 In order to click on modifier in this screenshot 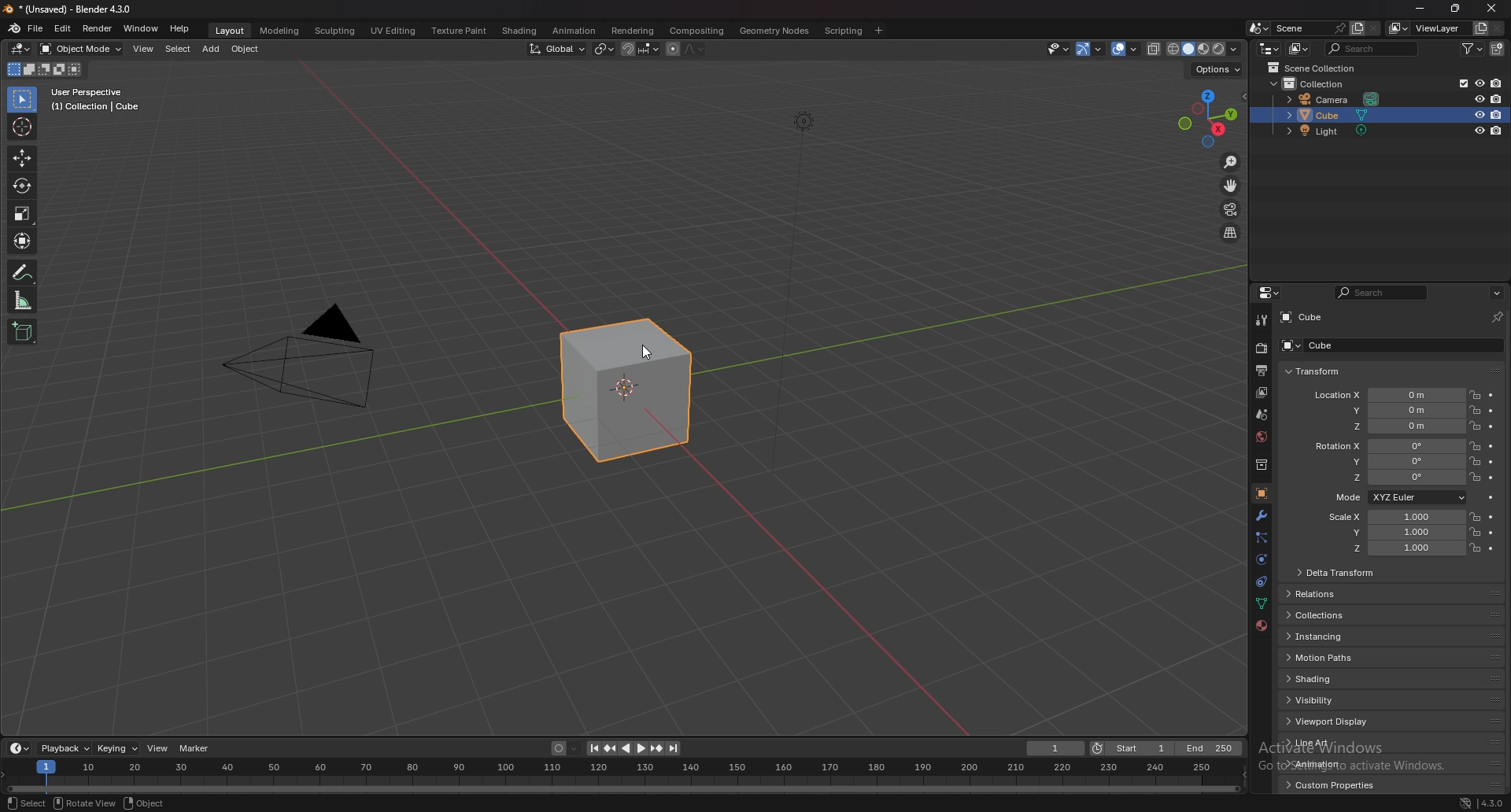, I will do `click(1262, 515)`.